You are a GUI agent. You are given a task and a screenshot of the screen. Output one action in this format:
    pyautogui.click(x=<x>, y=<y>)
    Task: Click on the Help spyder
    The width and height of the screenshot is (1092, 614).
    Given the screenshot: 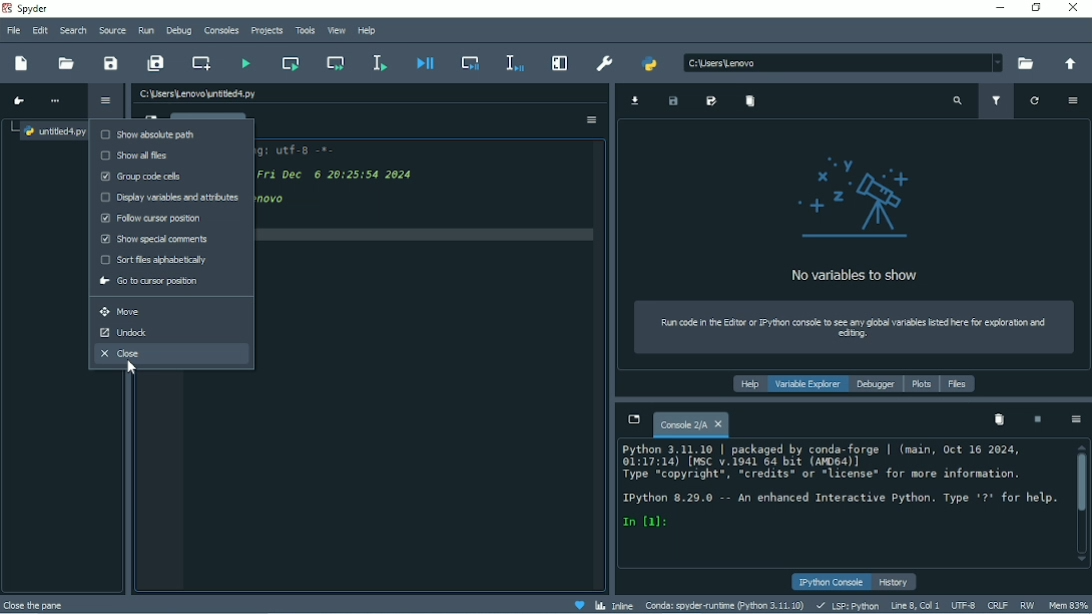 What is the action you would take?
    pyautogui.click(x=579, y=604)
    